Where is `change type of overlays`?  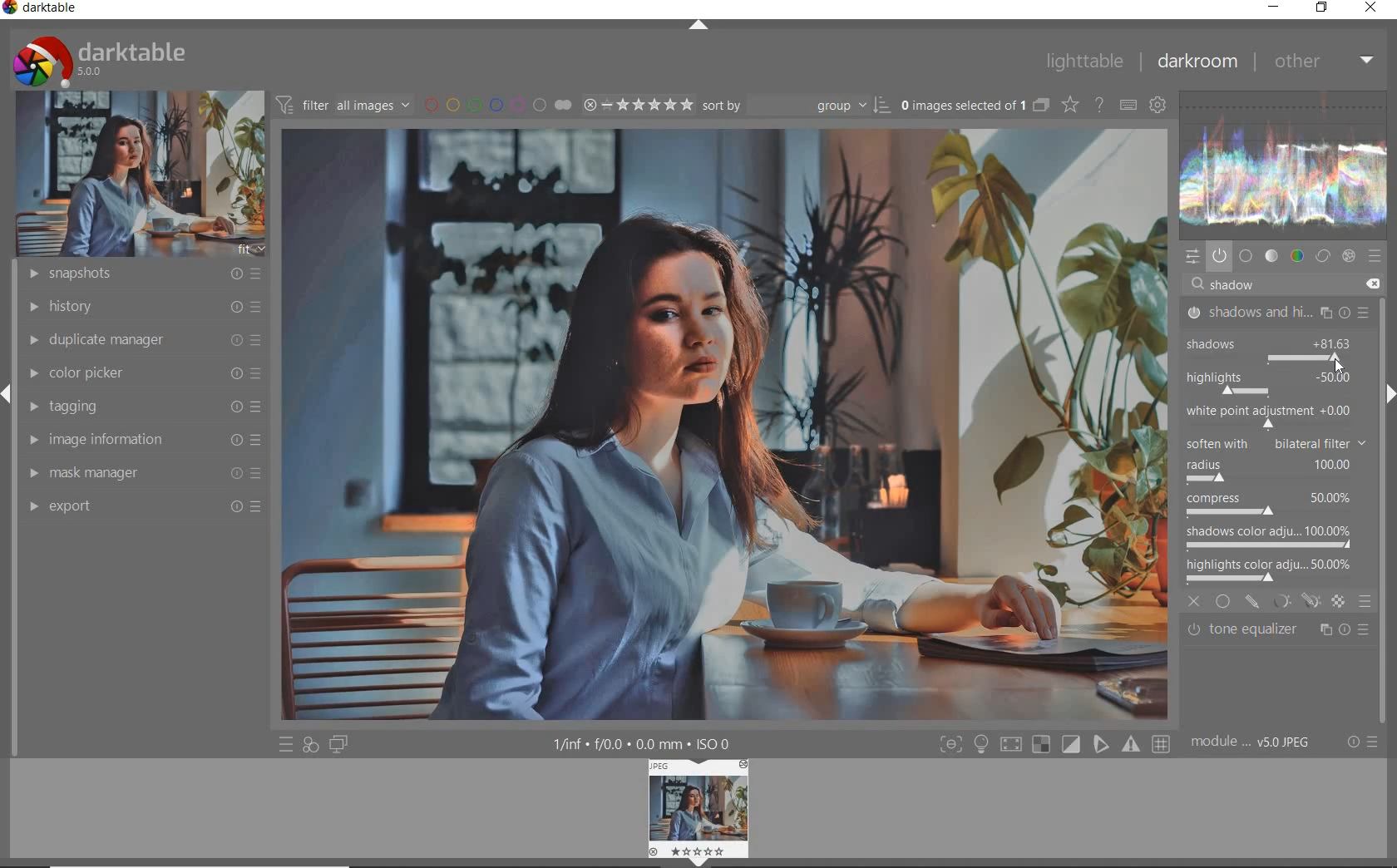
change type of overlays is located at coordinates (1072, 104).